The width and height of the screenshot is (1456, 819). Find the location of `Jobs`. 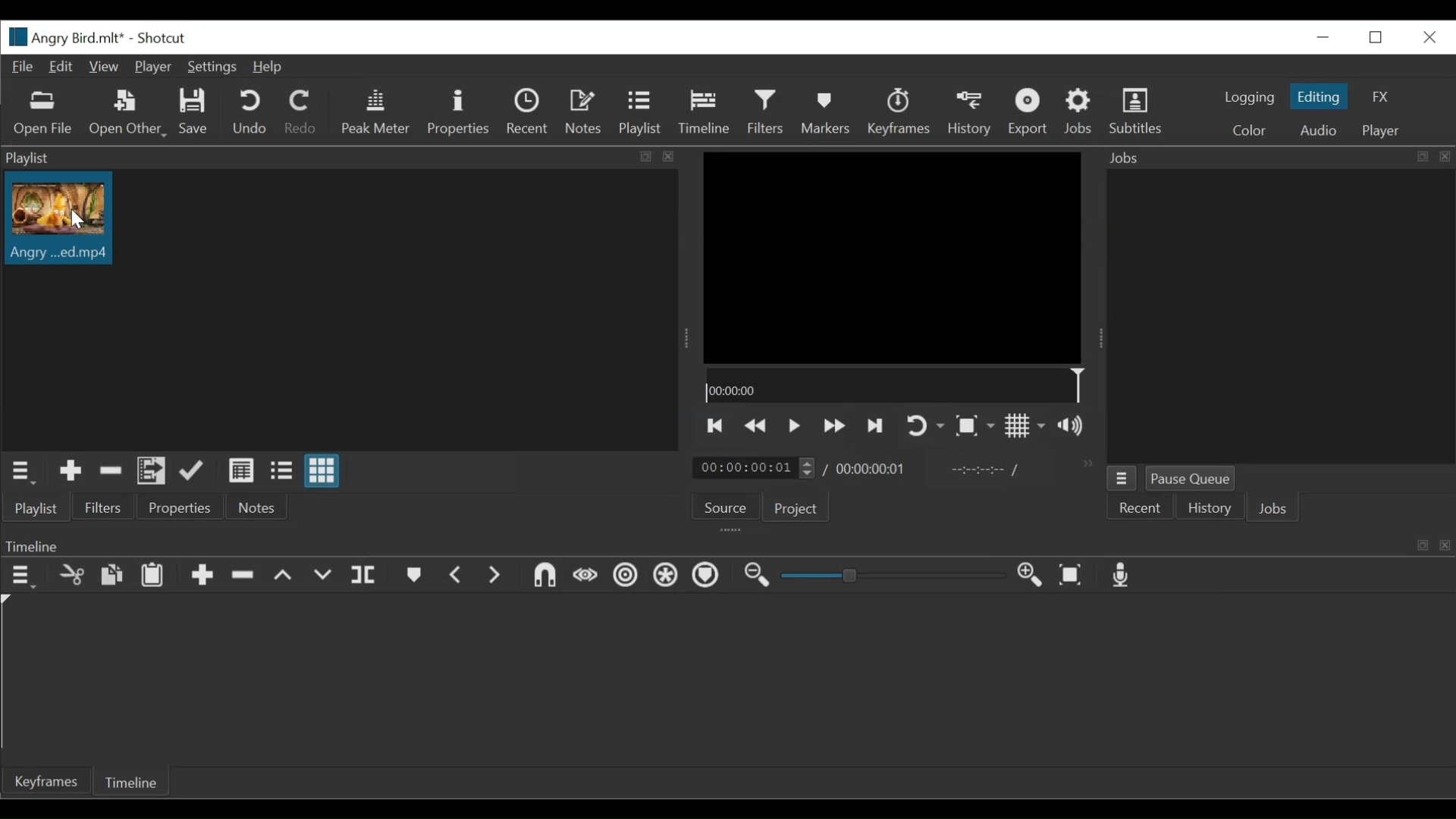

Jobs is located at coordinates (1081, 112).